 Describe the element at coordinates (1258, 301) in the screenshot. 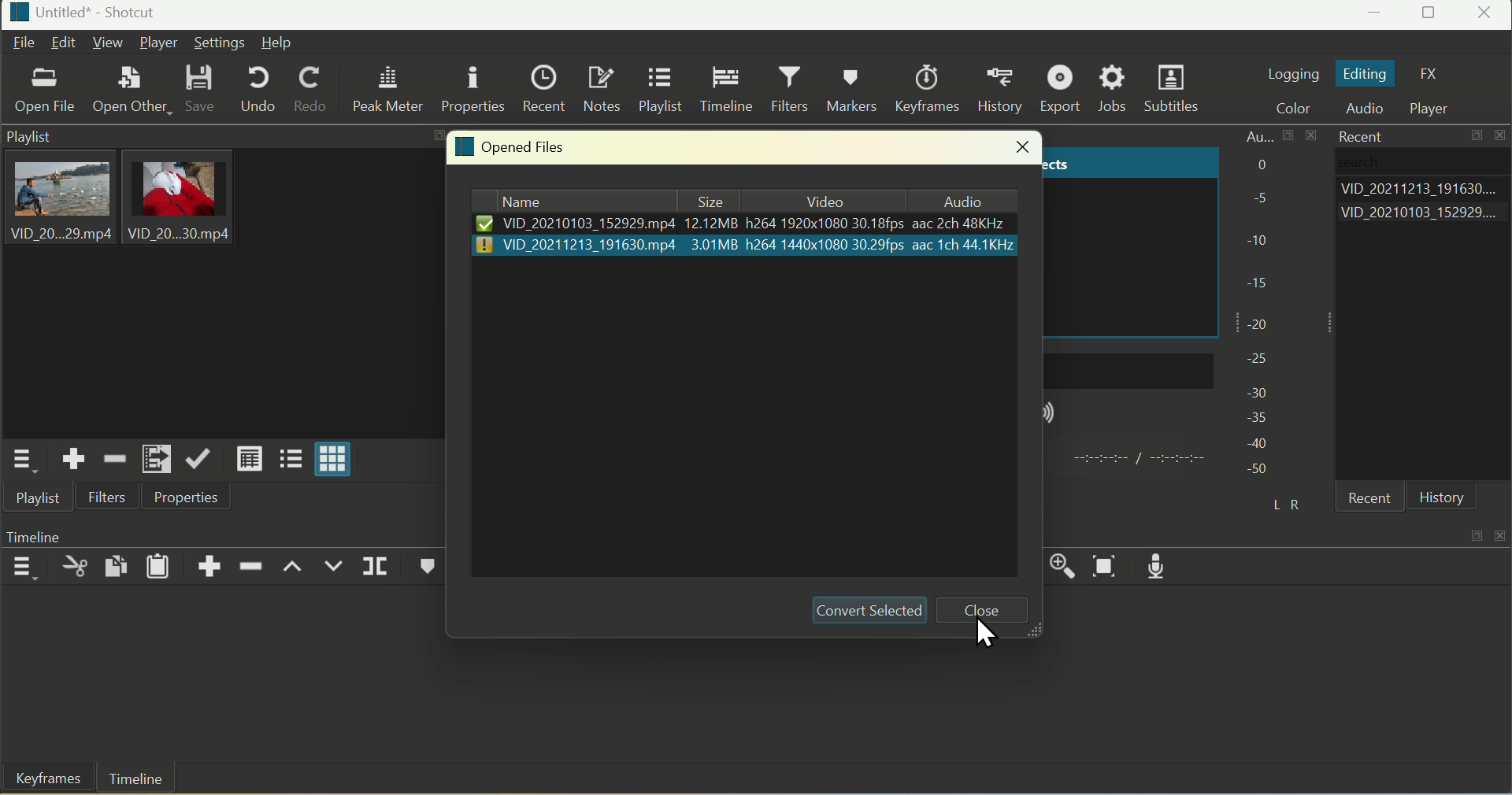

I see `Audio bar` at that location.